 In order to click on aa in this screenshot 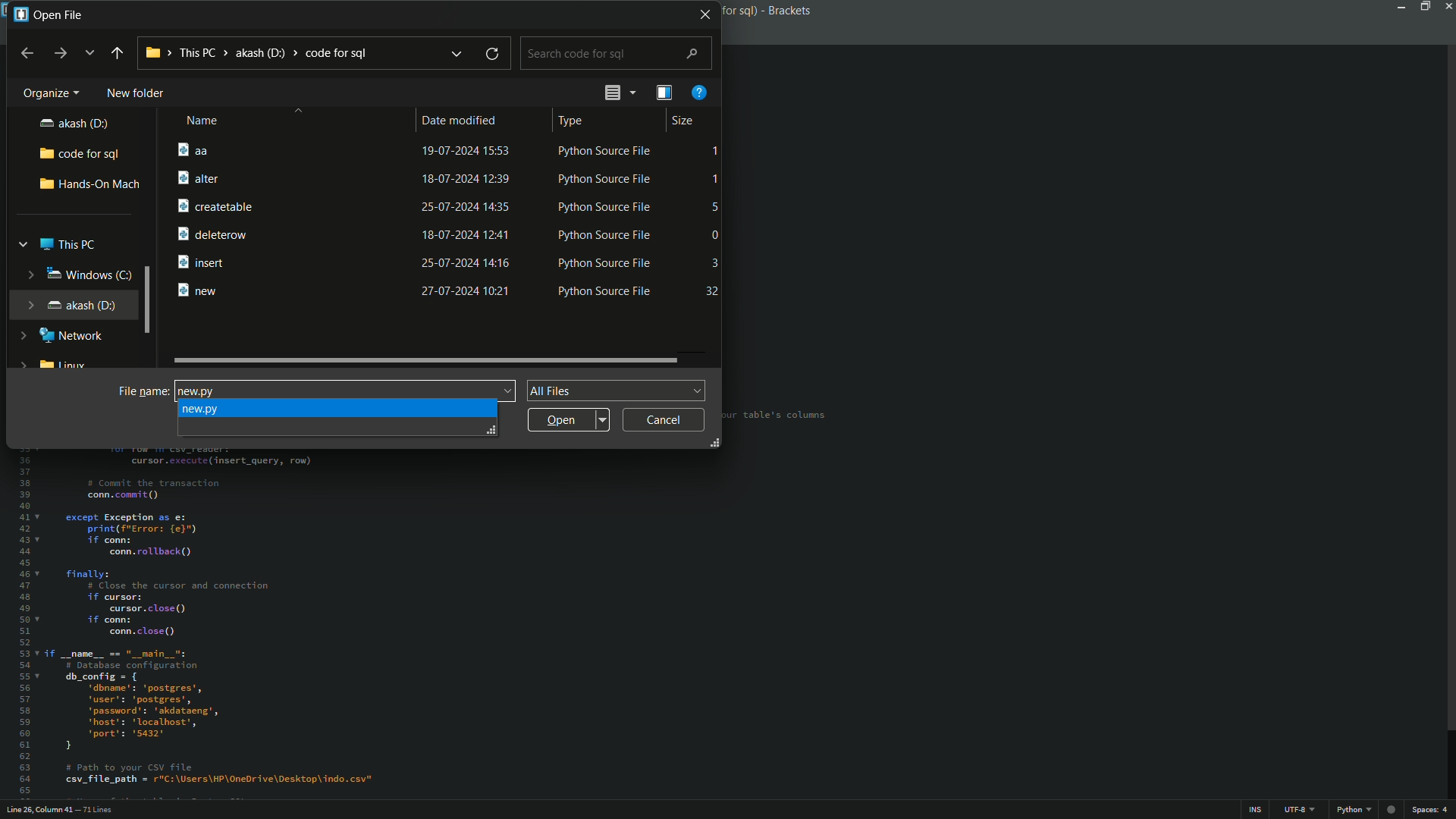, I will do `click(188, 149)`.